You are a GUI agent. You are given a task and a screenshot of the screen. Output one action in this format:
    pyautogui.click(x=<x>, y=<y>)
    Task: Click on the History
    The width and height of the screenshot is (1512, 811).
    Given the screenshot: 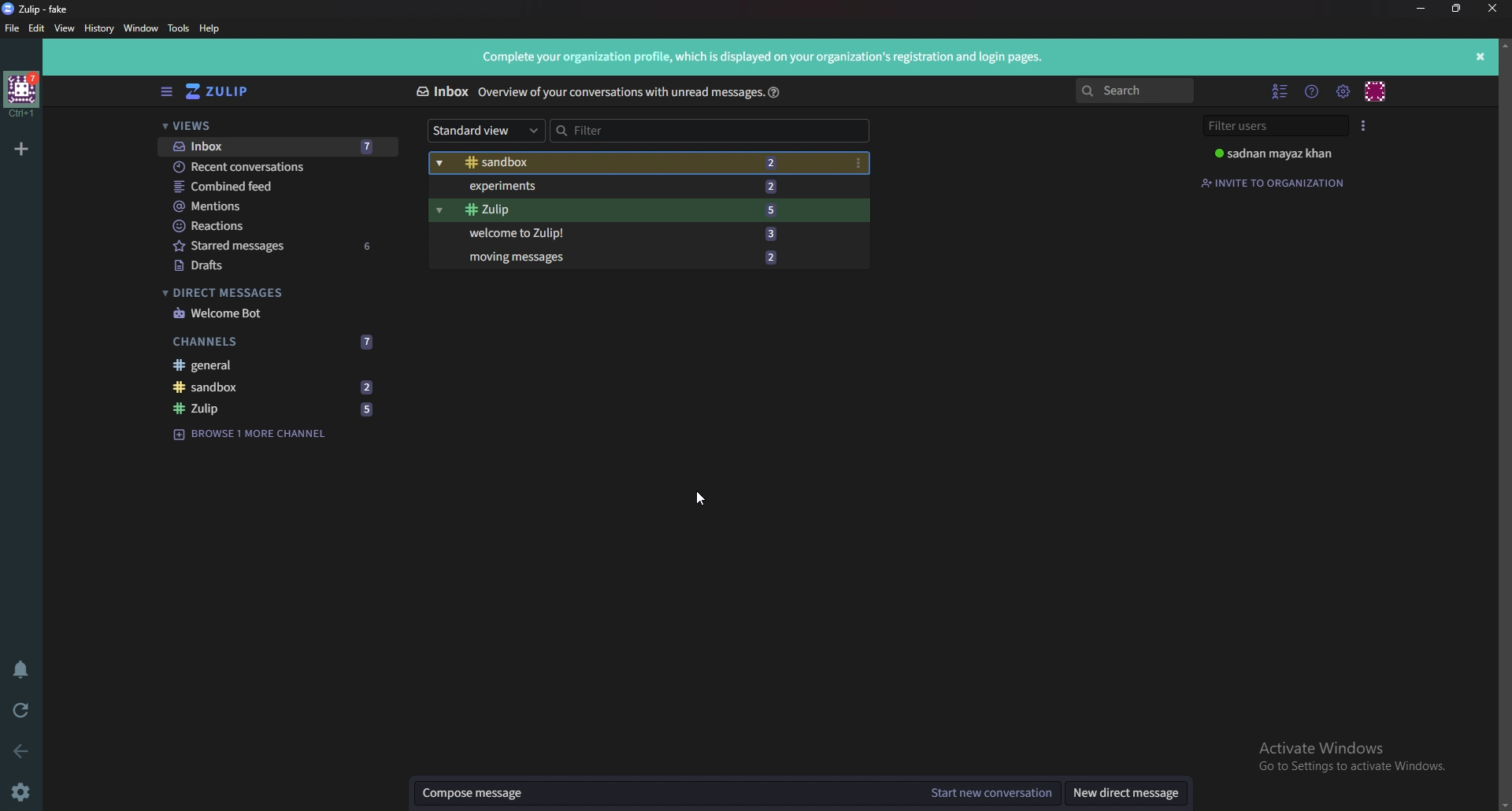 What is the action you would take?
    pyautogui.click(x=97, y=28)
    